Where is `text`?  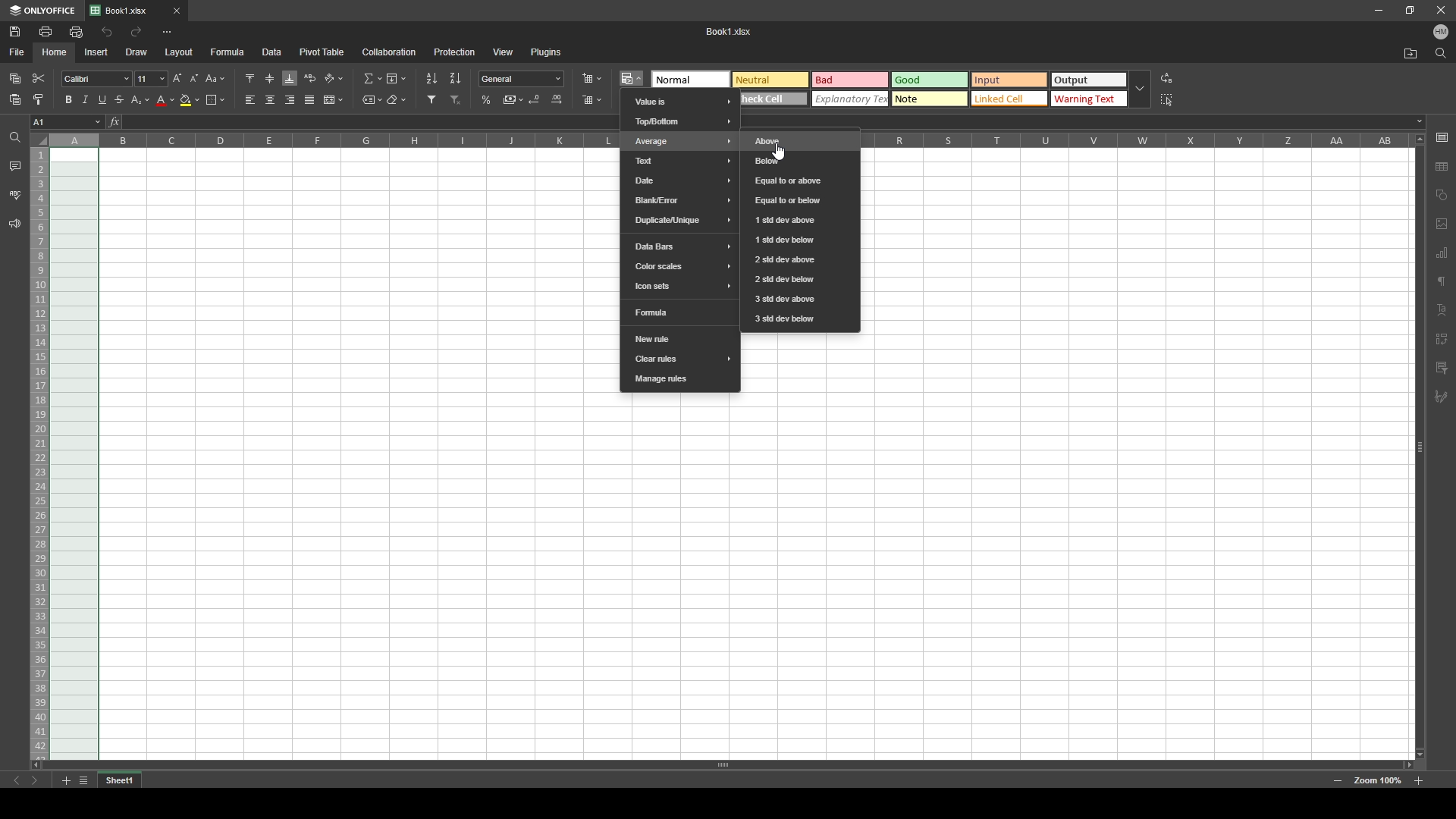
text is located at coordinates (679, 162).